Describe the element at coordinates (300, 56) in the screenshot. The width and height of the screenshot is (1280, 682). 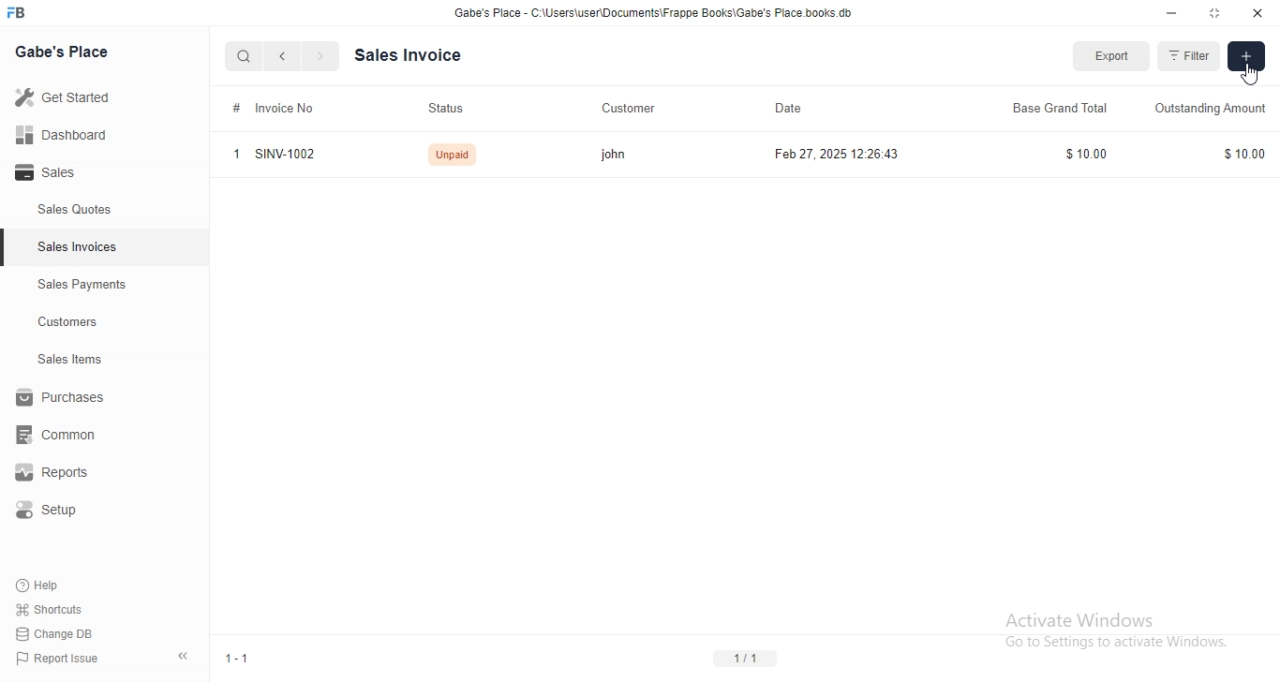
I see `forward/backward` at that location.